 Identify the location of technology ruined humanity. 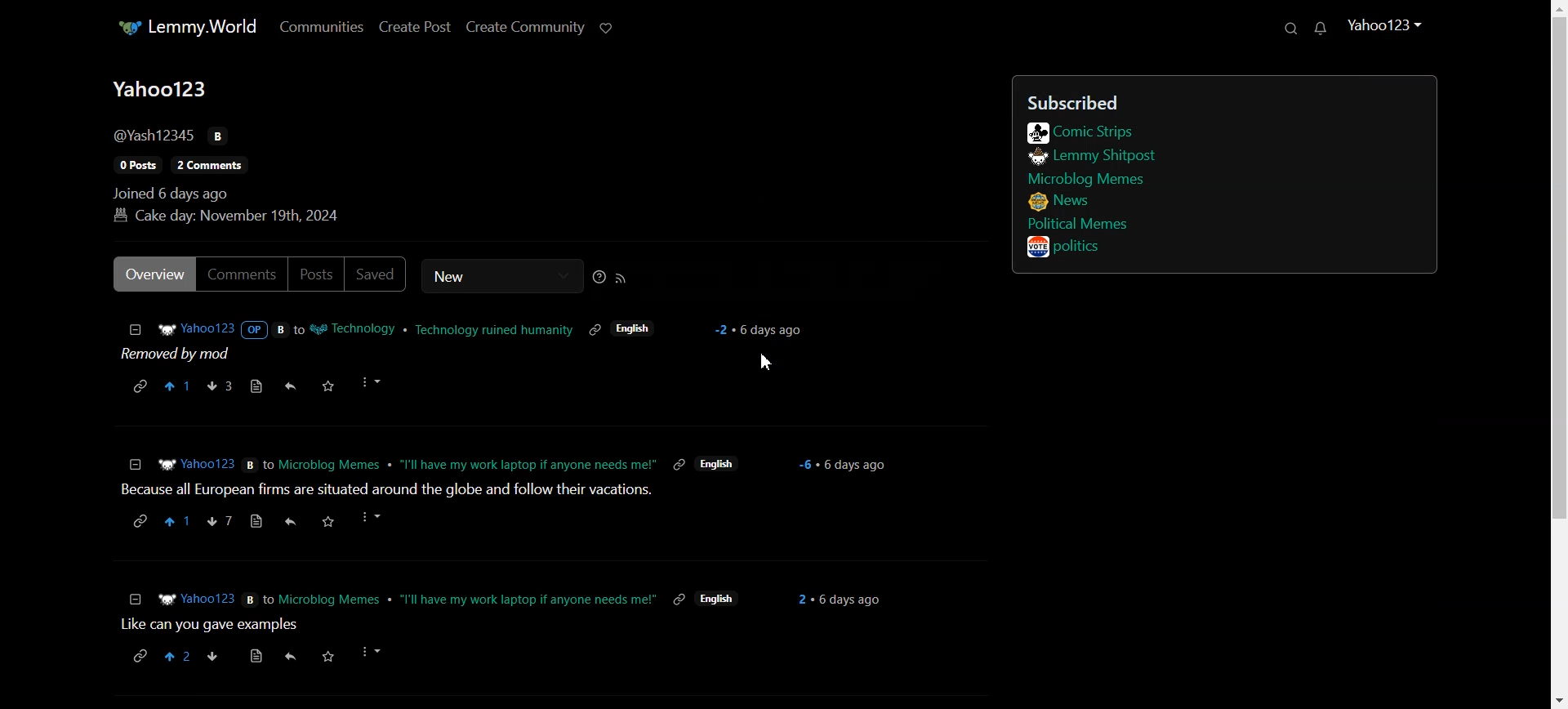
(495, 329).